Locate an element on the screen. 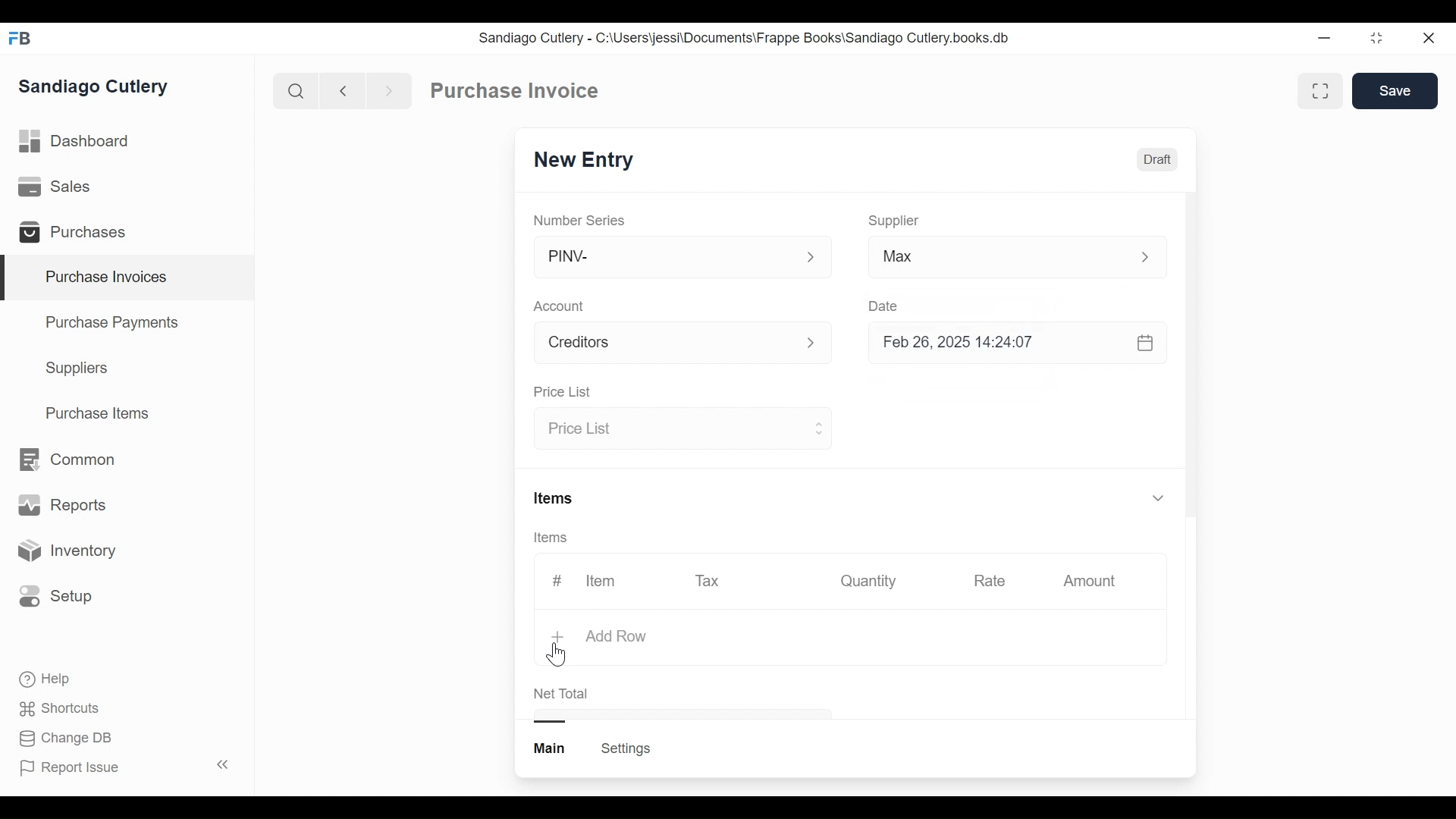  Expand is located at coordinates (820, 344).